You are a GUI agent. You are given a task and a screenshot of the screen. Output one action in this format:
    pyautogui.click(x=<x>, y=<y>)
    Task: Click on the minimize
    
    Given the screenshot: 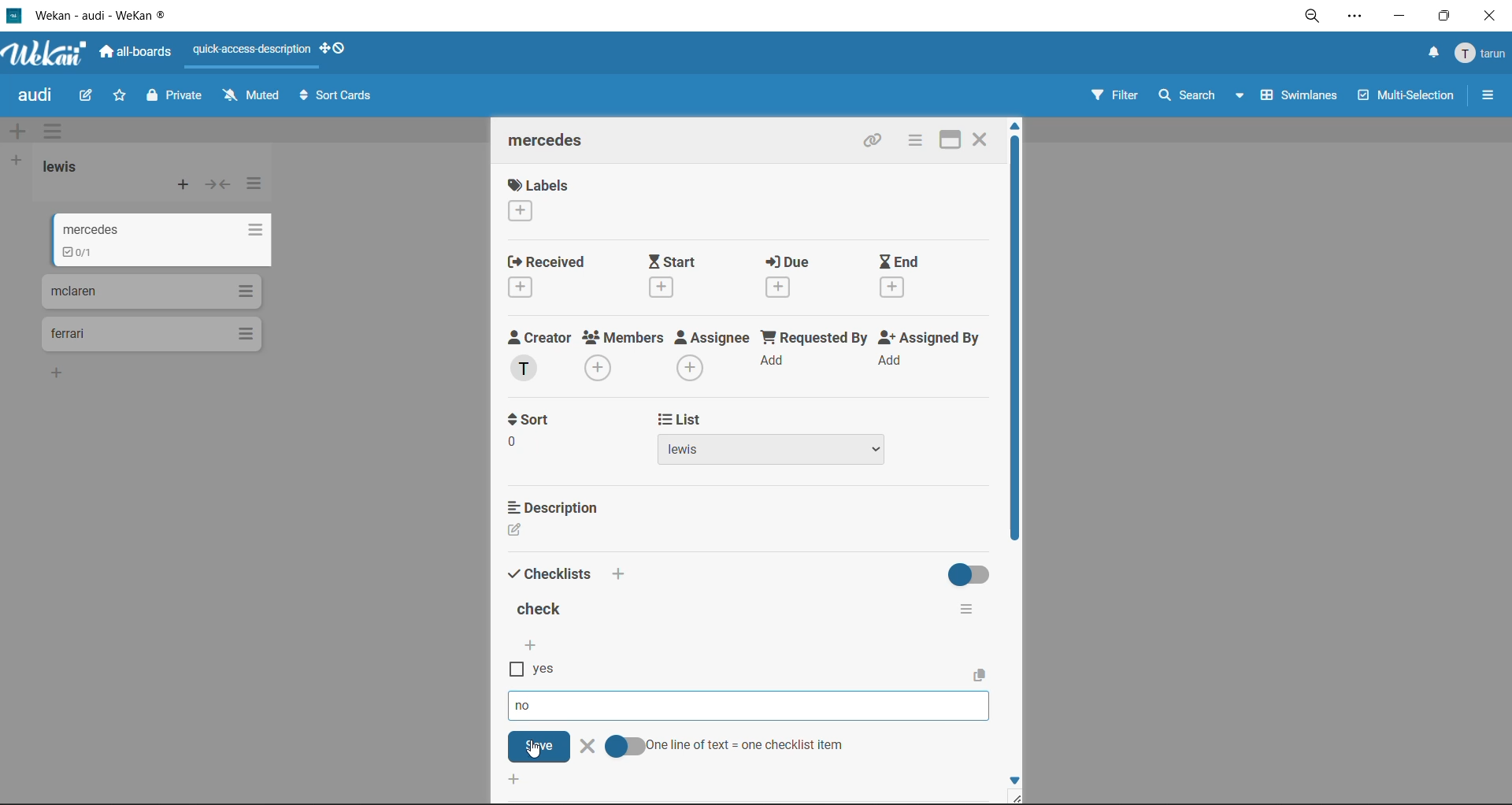 What is the action you would take?
    pyautogui.click(x=1399, y=19)
    